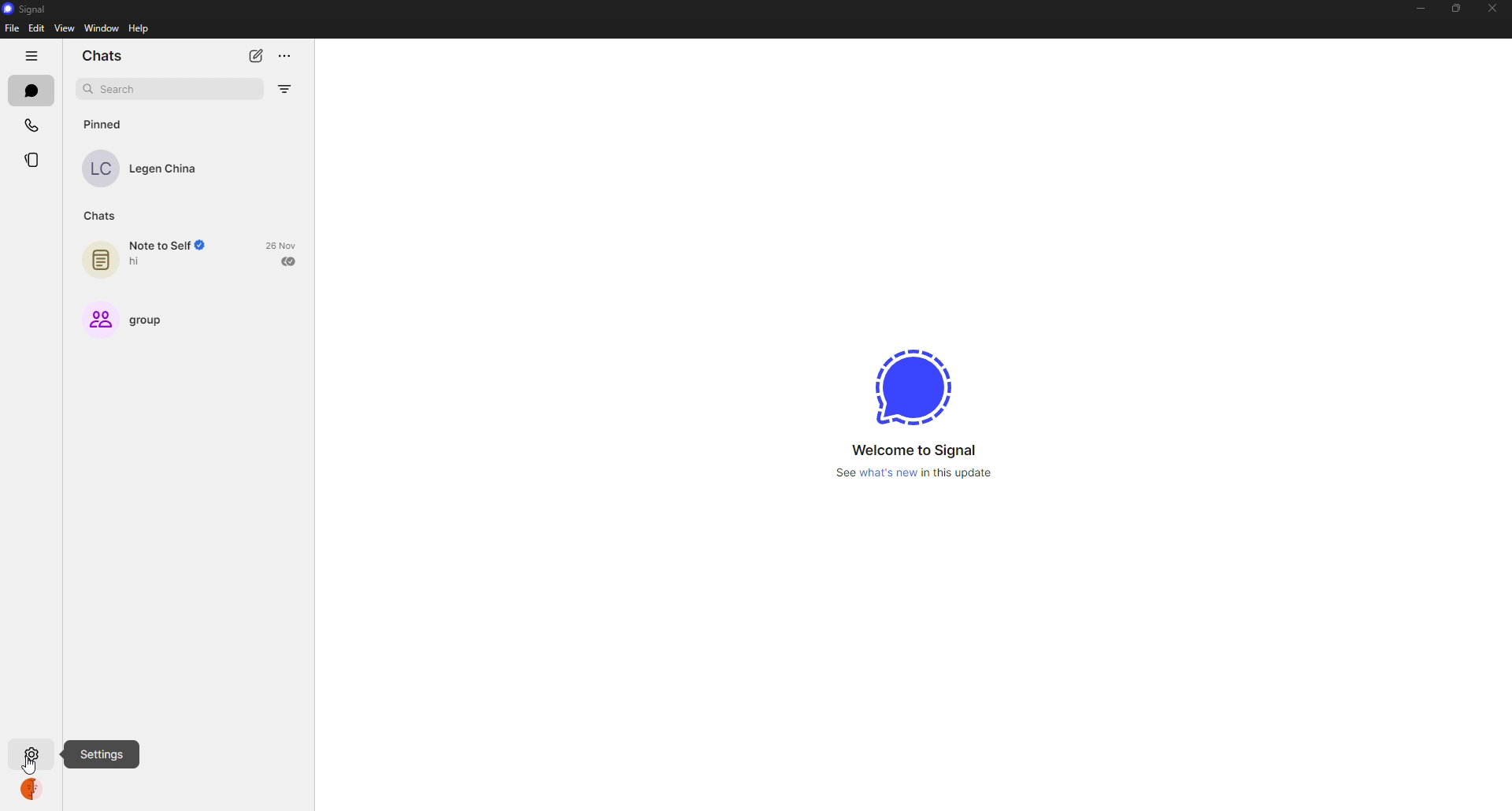 The image size is (1512, 811). I want to click on view, so click(65, 29).